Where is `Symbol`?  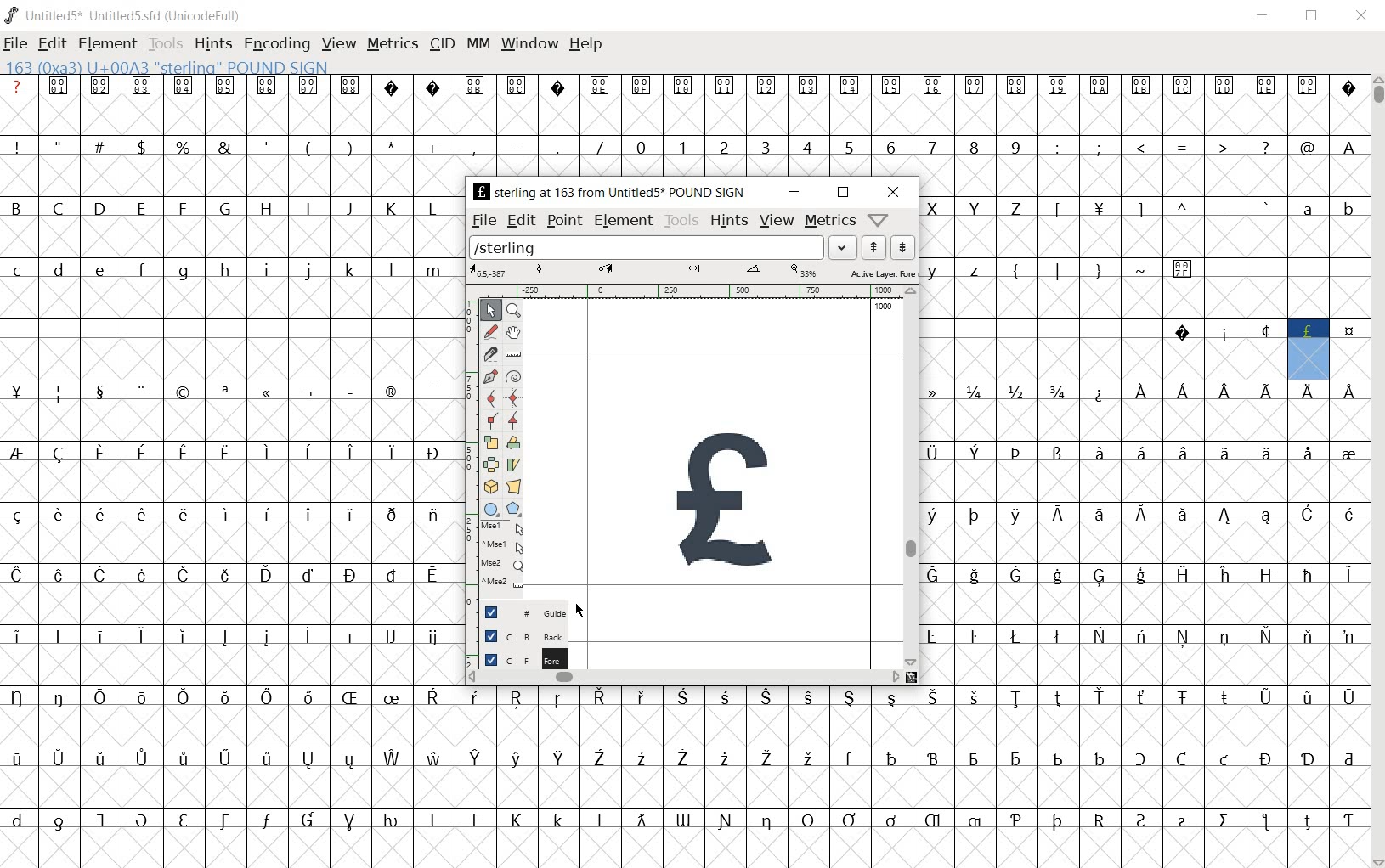 Symbol is located at coordinates (183, 697).